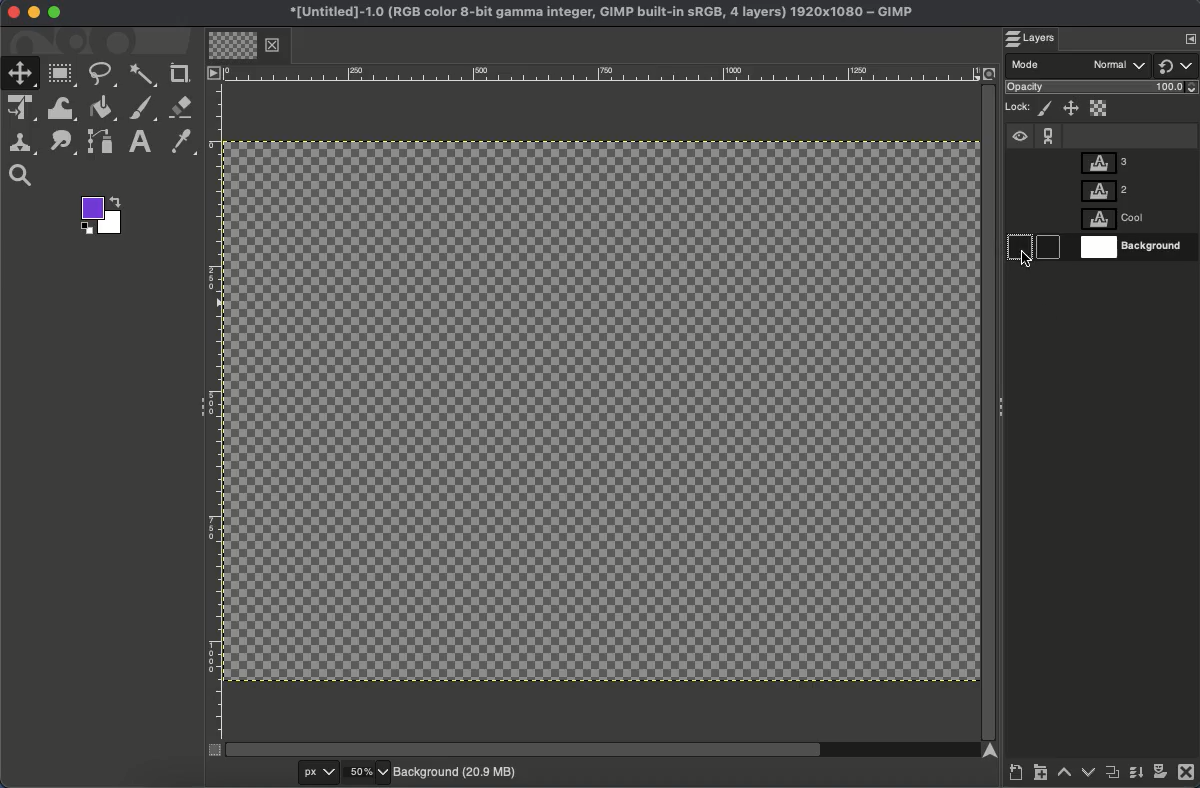 Image resolution: width=1200 pixels, height=788 pixels. I want to click on Search, so click(20, 176).